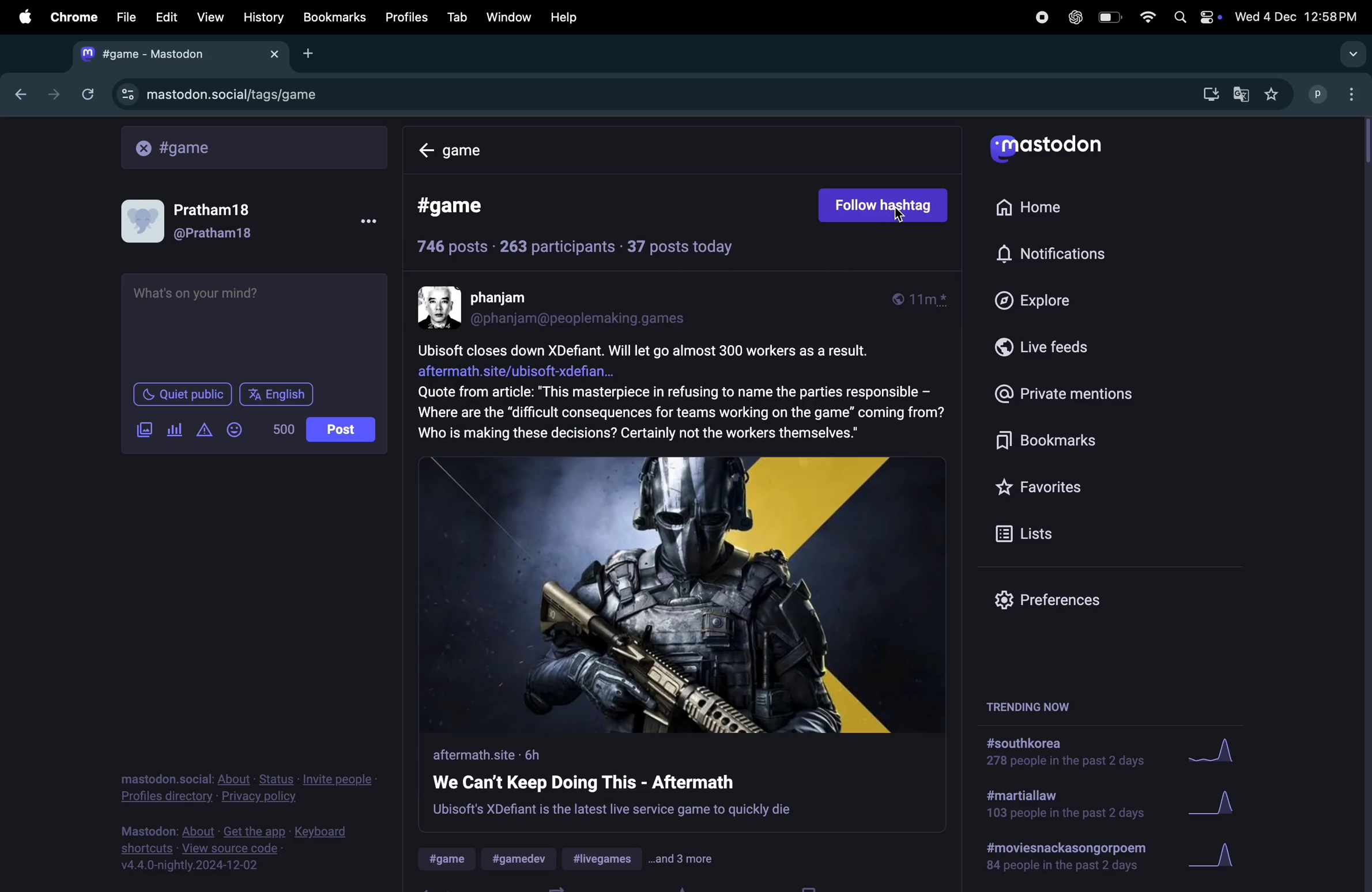  I want to click on posted time, so click(926, 300).